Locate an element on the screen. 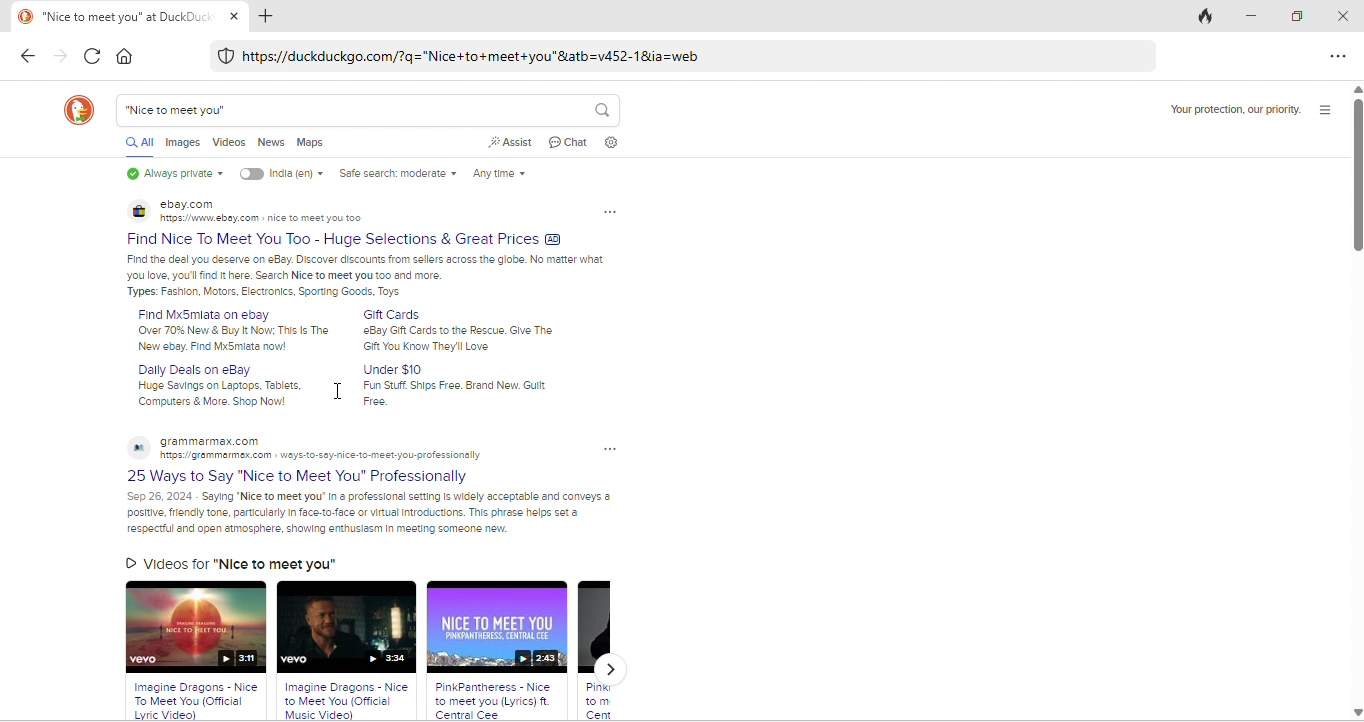  PinkPantheress - Nice
meet you (Lyrics) f is located at coordinates (498, 699).